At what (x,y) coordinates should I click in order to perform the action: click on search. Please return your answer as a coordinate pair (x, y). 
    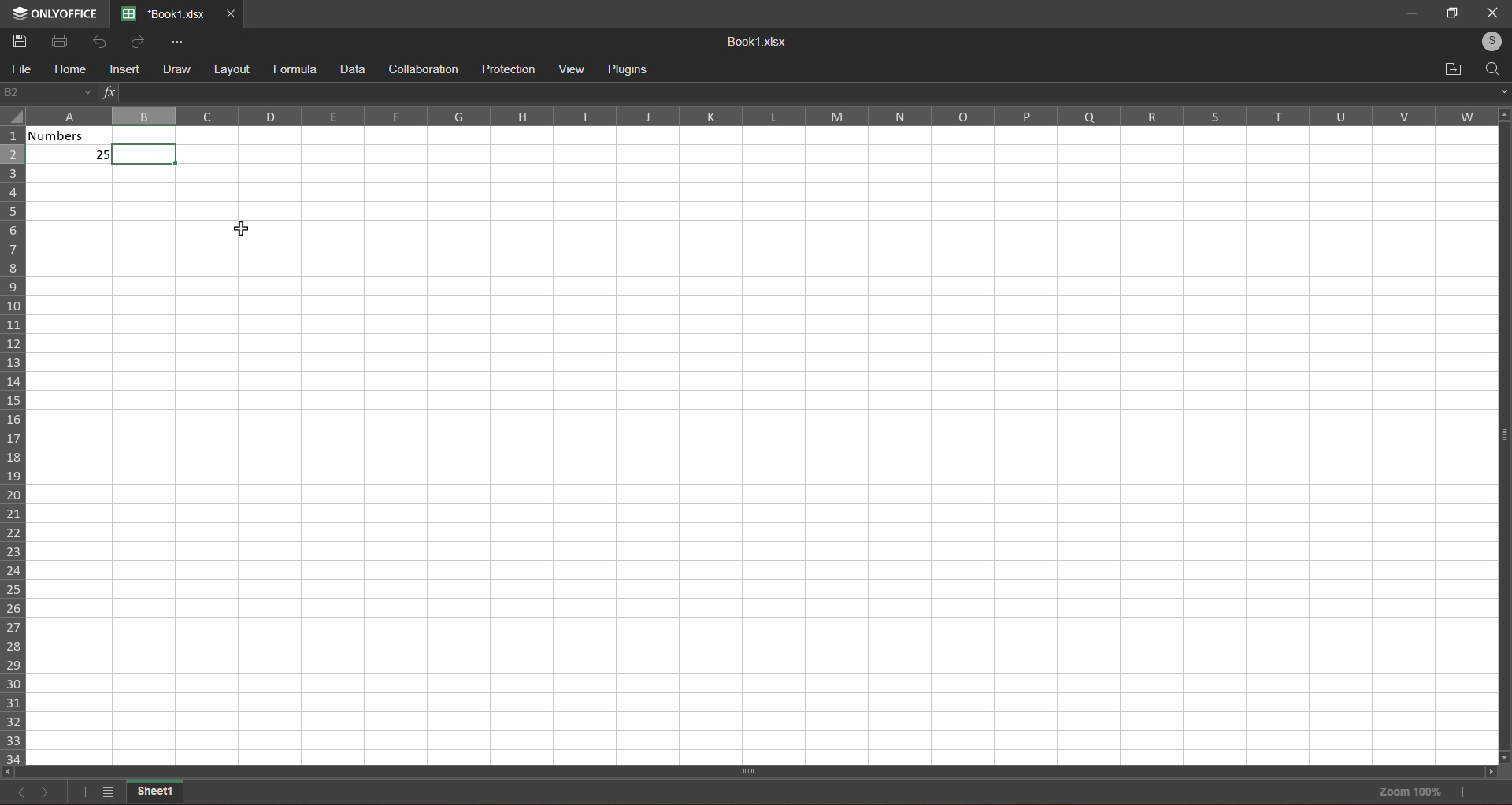
    Looking at the image, I should click on (1494, 67).